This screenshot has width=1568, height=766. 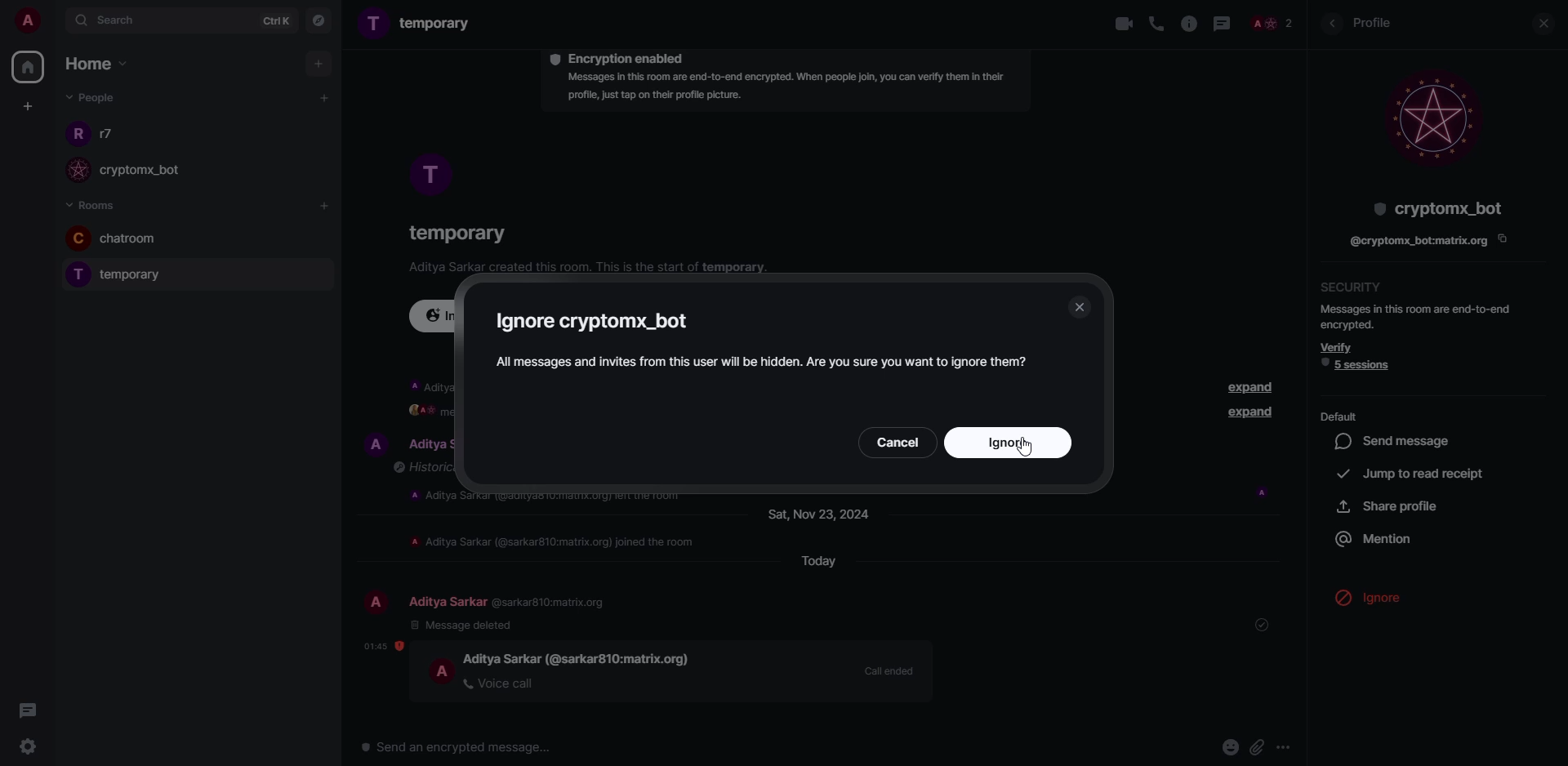 I want to click on info, so click(x=595, y=268).